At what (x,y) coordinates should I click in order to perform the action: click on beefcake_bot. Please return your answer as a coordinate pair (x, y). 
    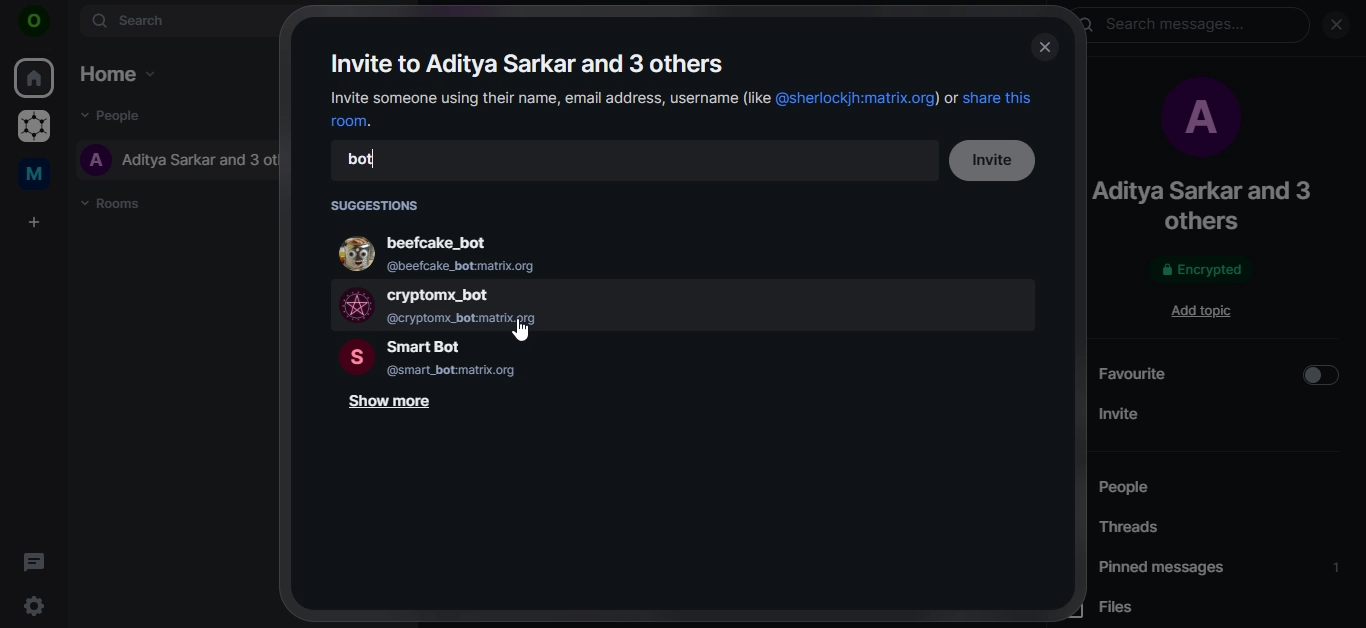
    Looking at the image, I should click on (463, 251).